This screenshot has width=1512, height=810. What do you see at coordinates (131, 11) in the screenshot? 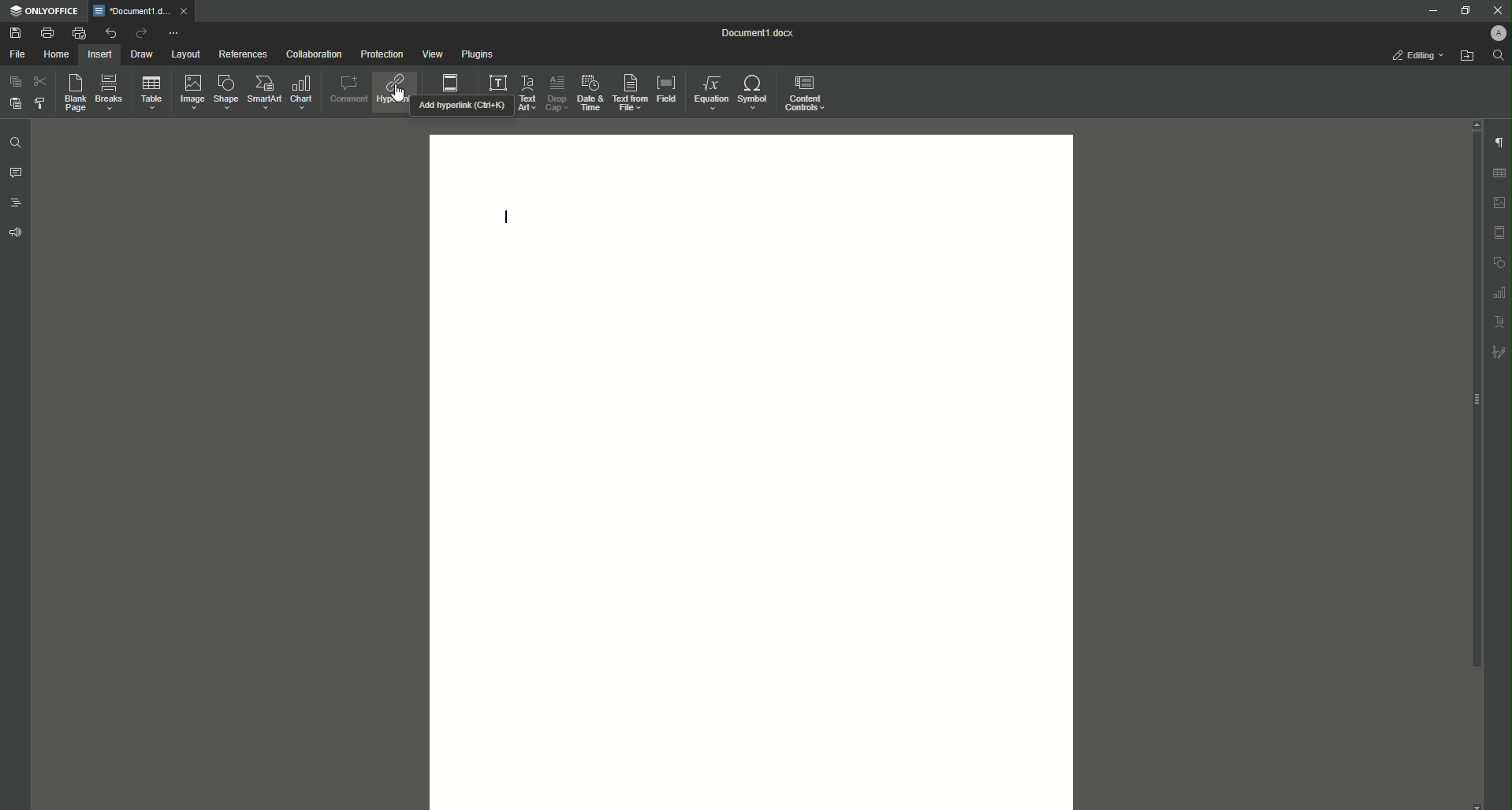
I see `*Document1.docx` at bounding box center [131, 11].